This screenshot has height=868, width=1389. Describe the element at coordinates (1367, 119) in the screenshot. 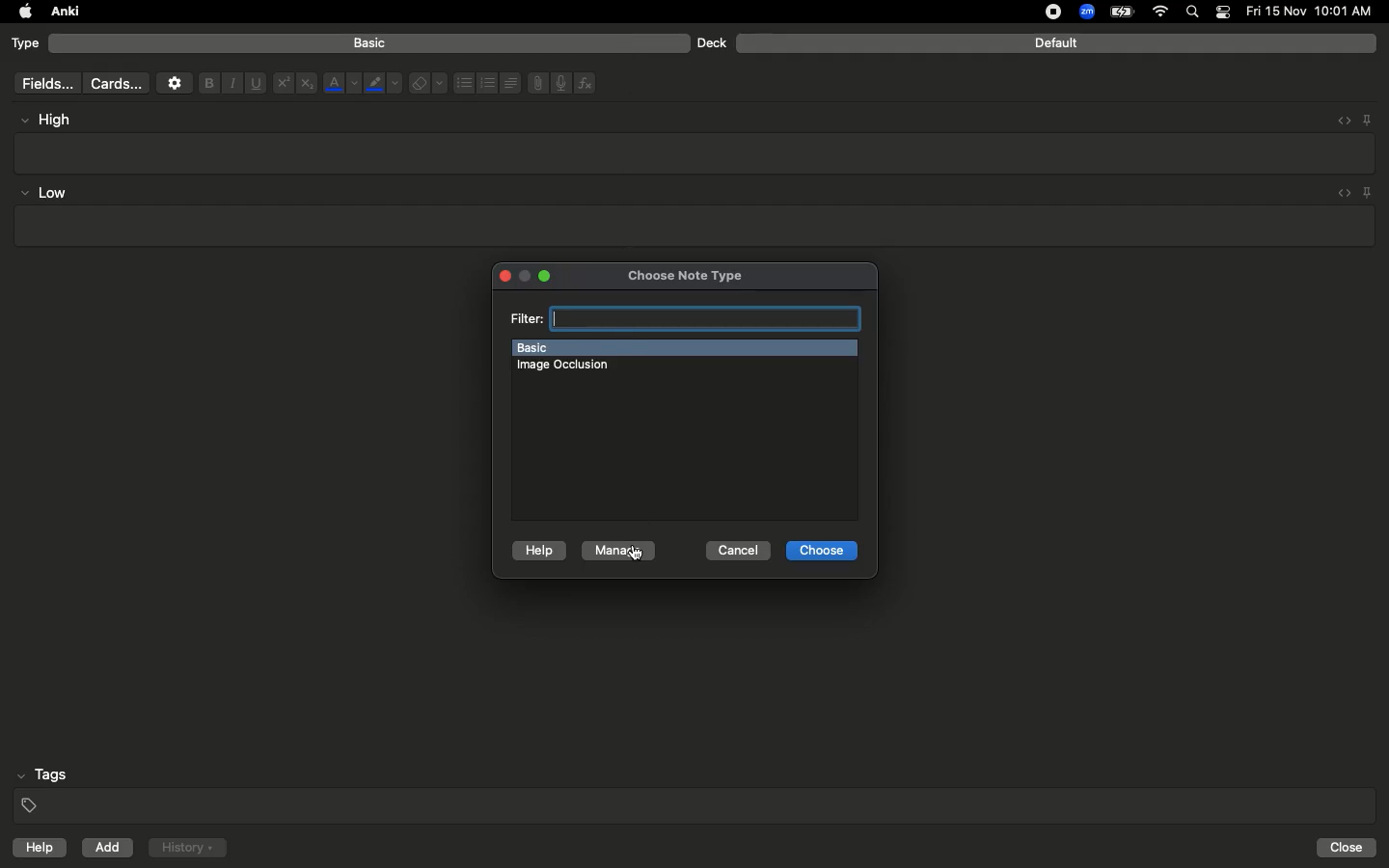

I see `Pin` at that location.